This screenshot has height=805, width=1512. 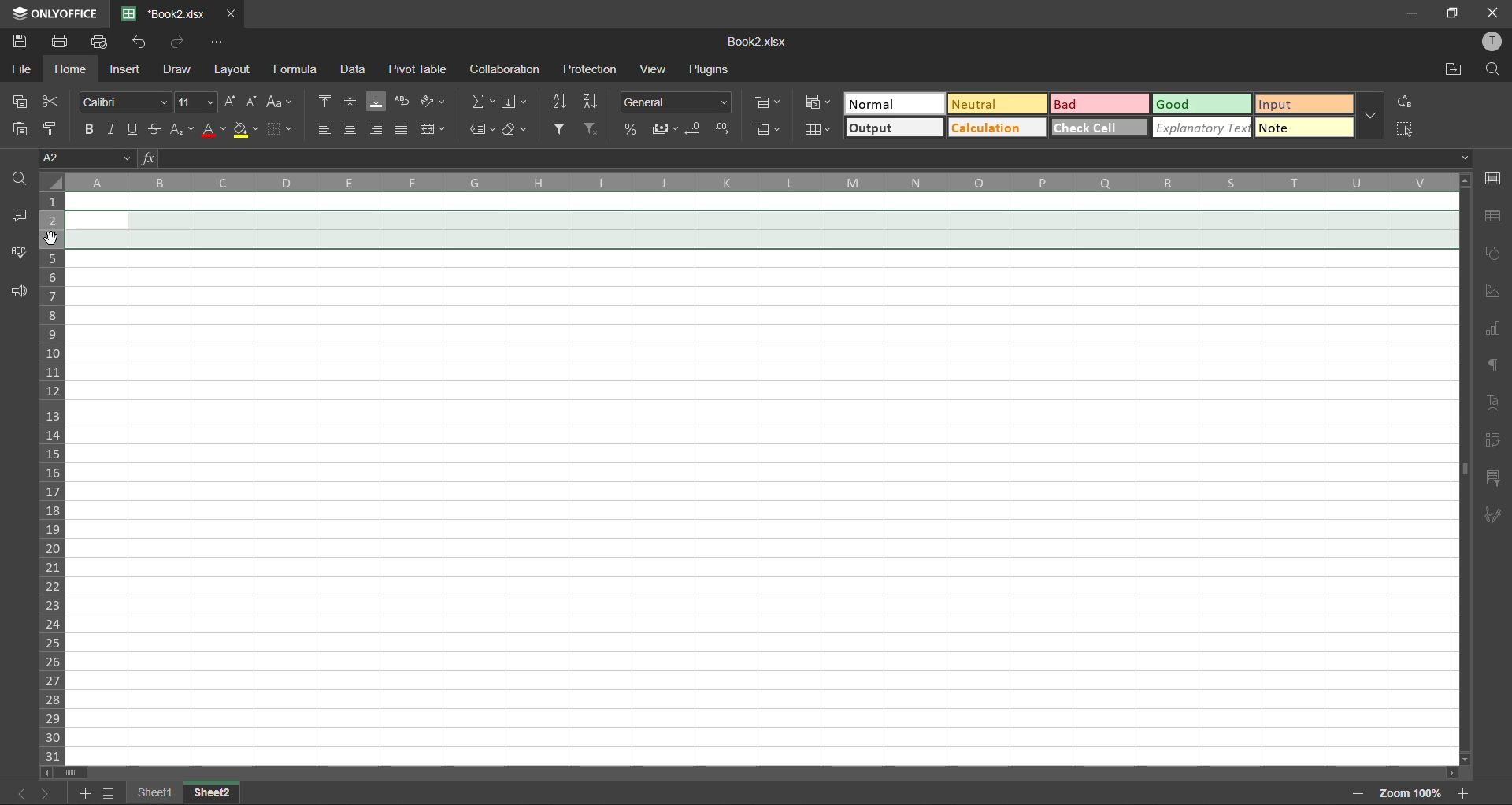 What do you see at coordinates (1405, 128) in the screenshot?
I see `select all` at bounding box center [1405, 128].